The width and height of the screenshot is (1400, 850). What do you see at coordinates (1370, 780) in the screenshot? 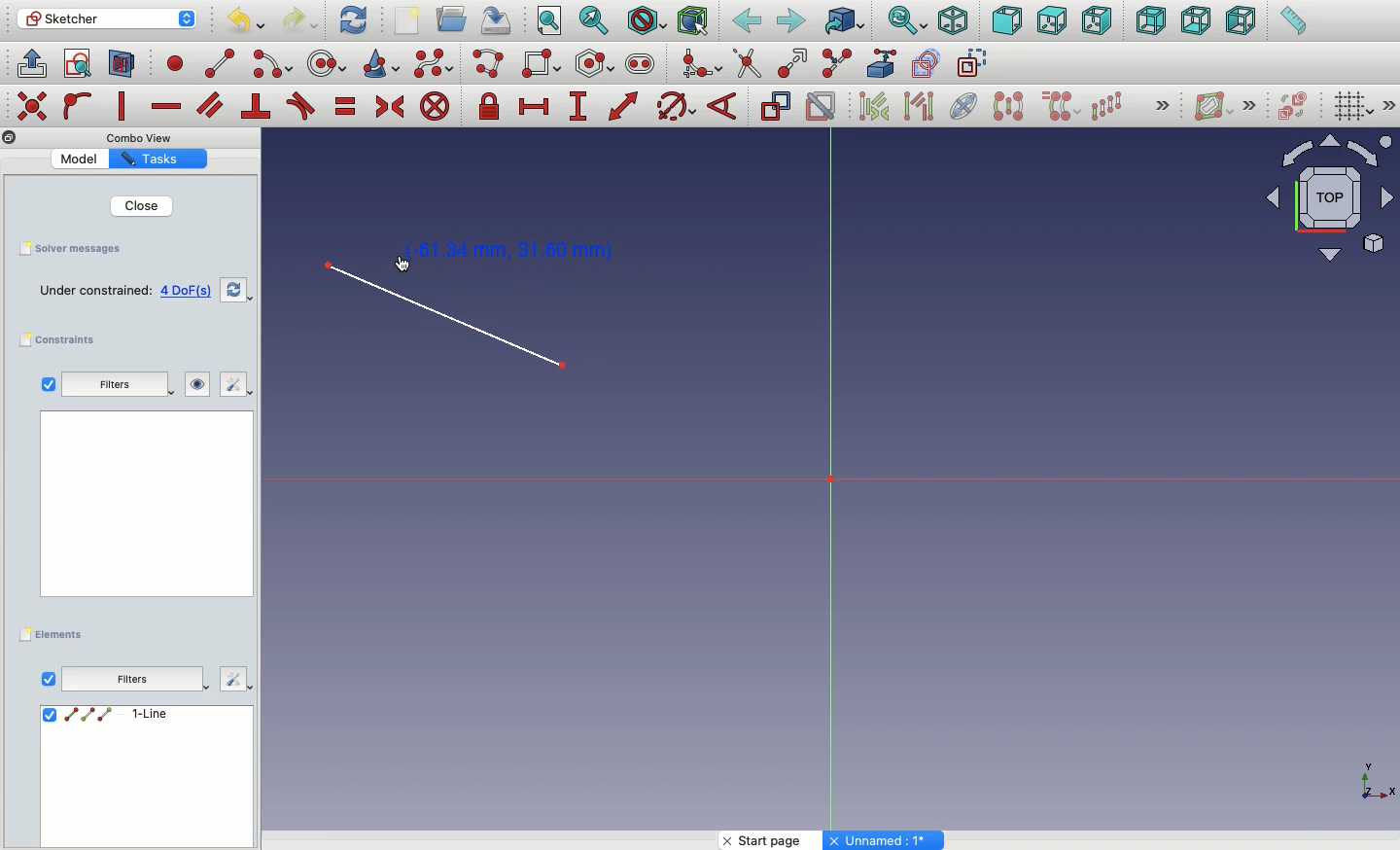
I see `` at bounding box center [1370, 780].